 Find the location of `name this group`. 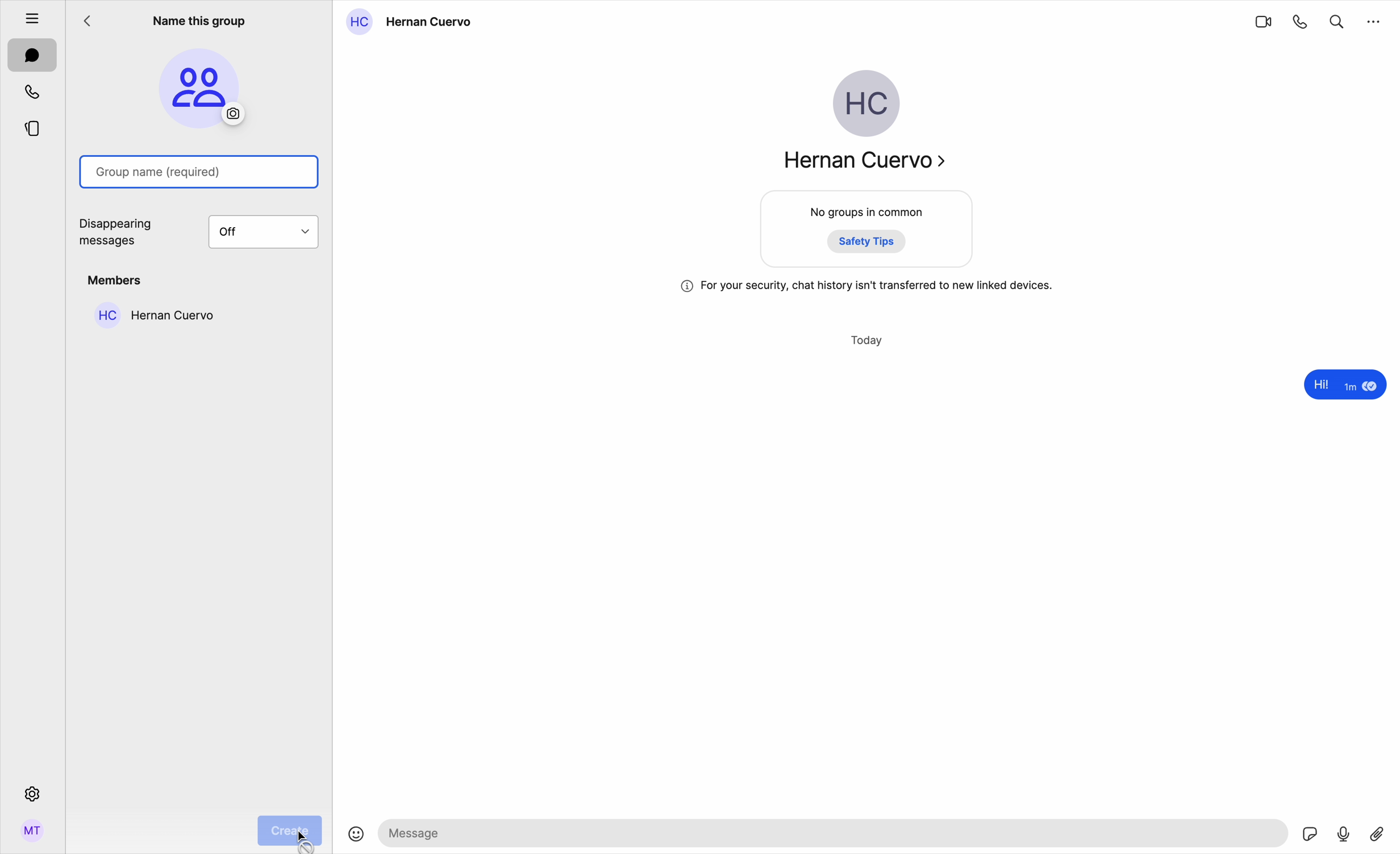

name this group is located at coordinates (198, 19).